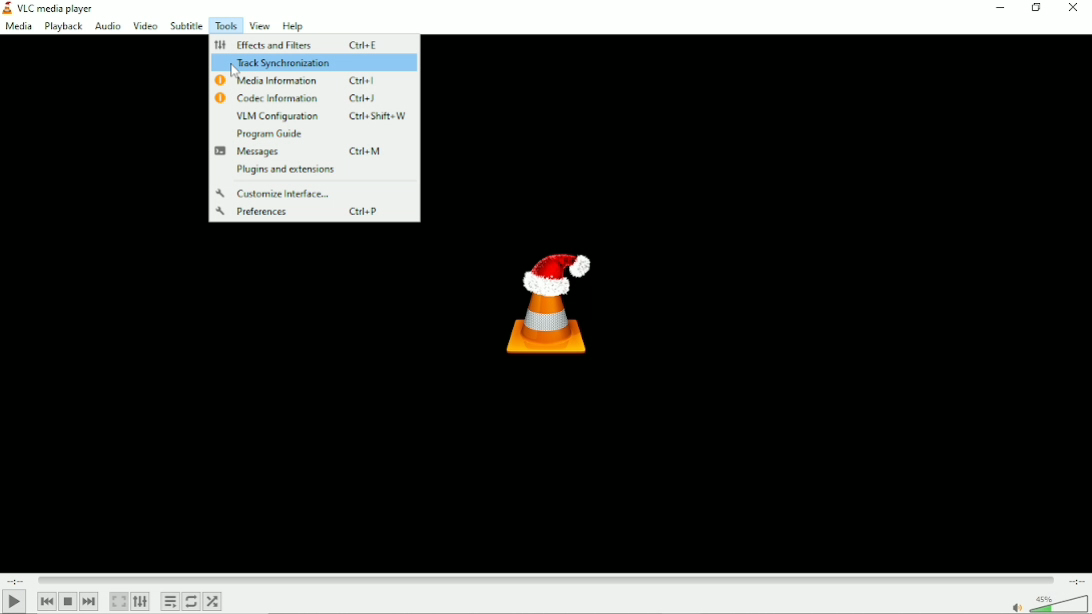  I want to click on Customize interface, so click(274, 193).